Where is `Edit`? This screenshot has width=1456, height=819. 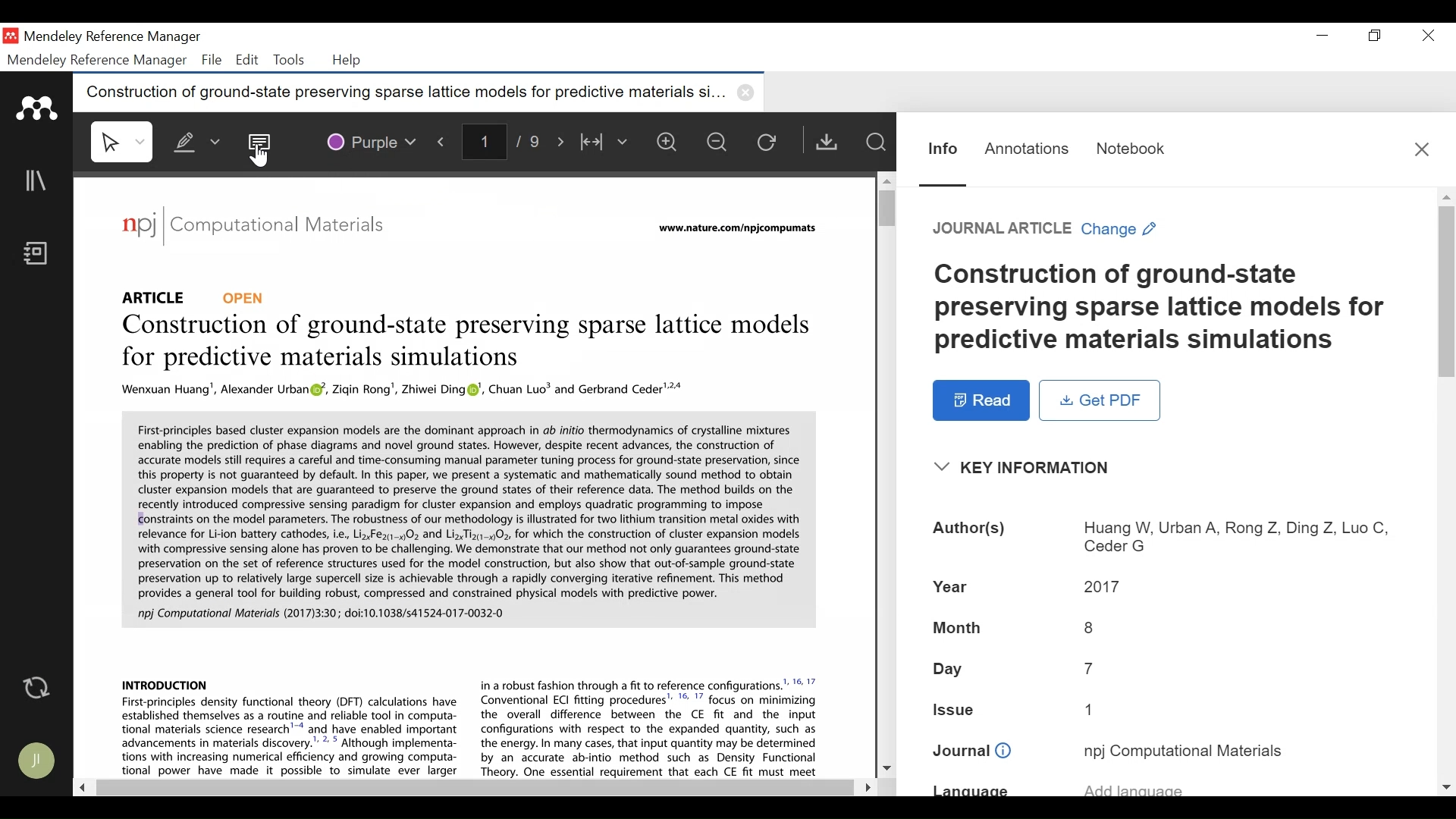 Edit is located at coordinates (247, 60).